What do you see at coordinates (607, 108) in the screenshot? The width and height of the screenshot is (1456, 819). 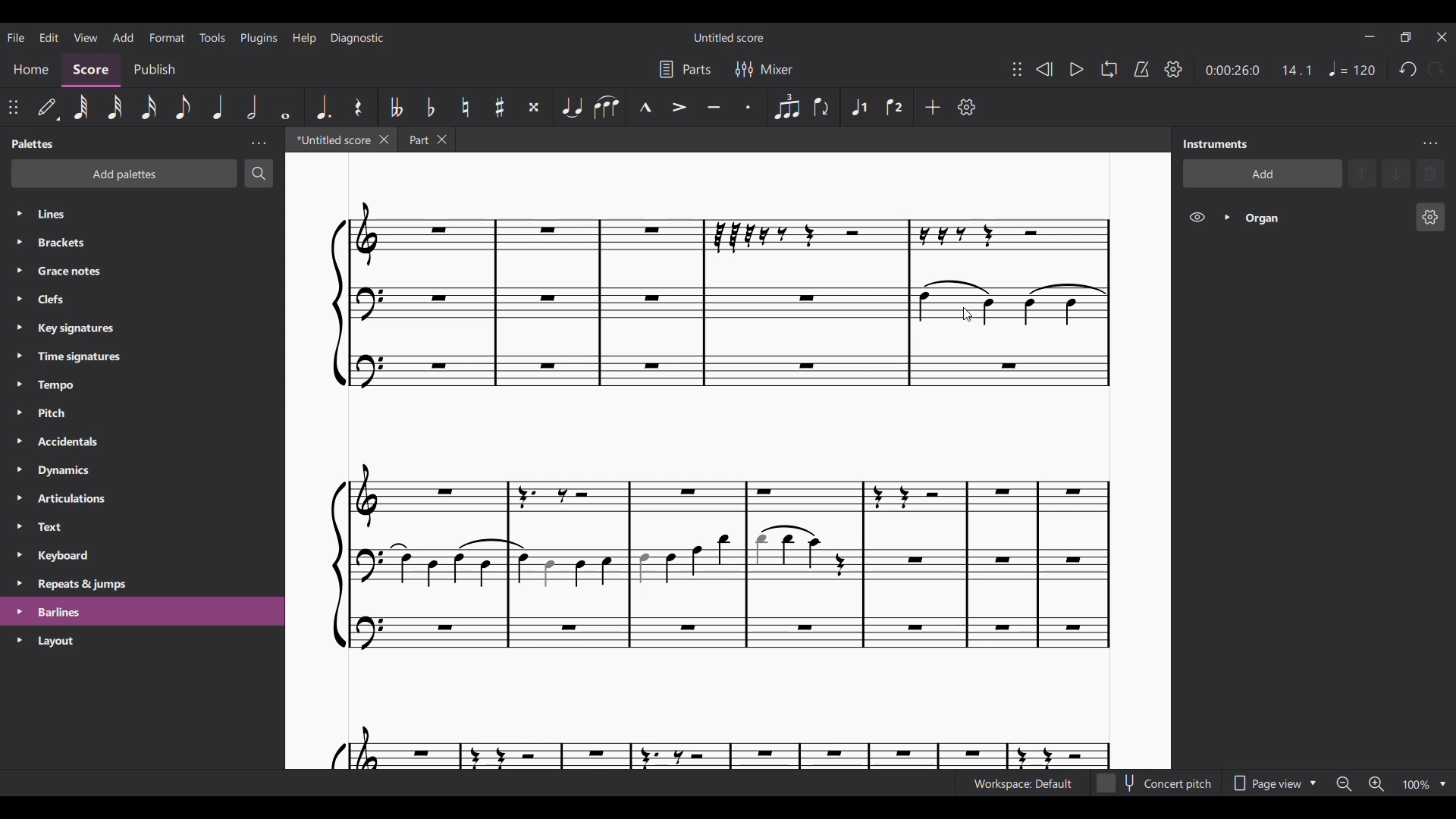 I see `Slur` at bounding box center [607, 108].